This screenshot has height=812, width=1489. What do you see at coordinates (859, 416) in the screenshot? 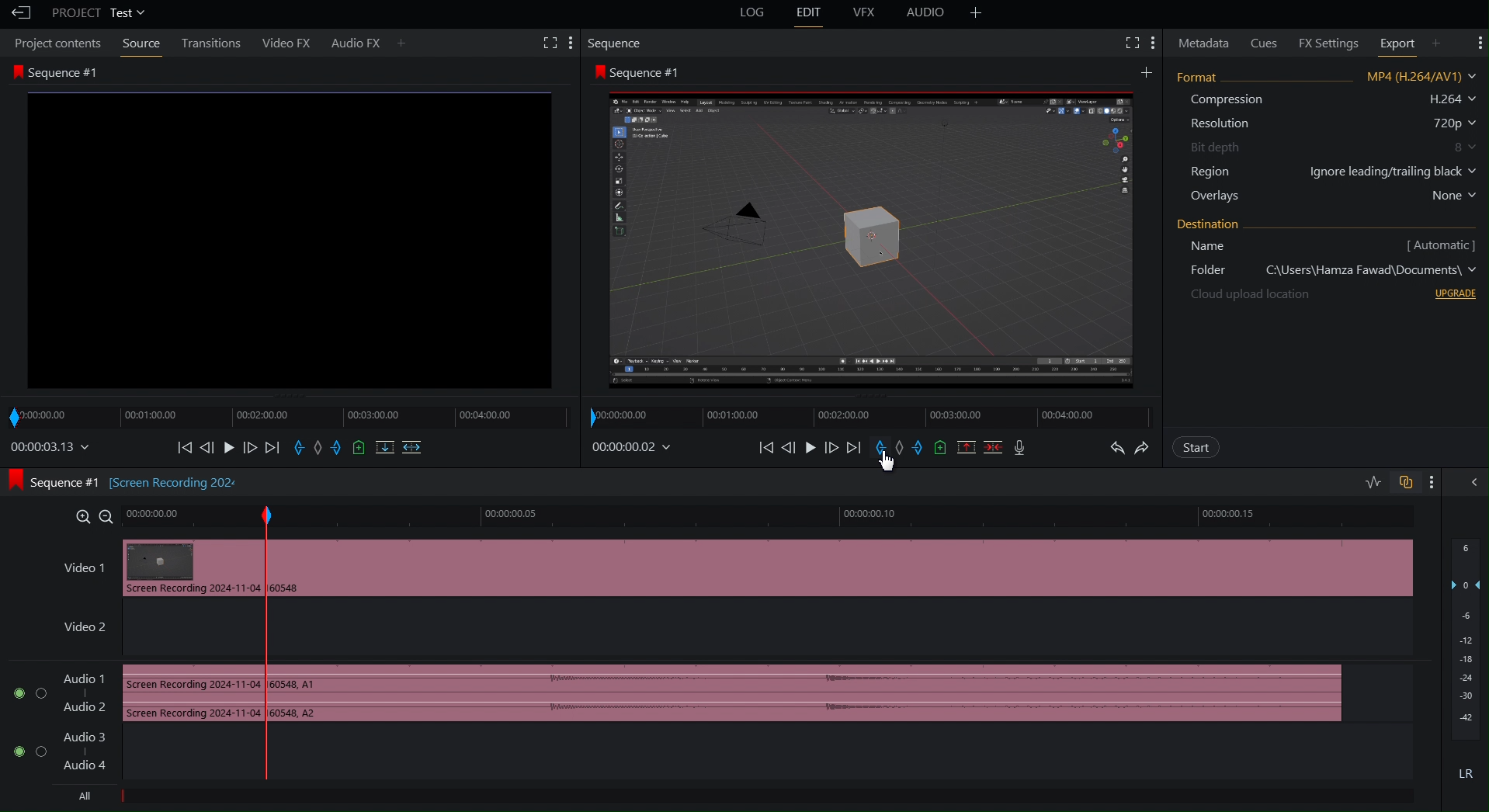
I see `Timeline` at bounding box center [859, 416].